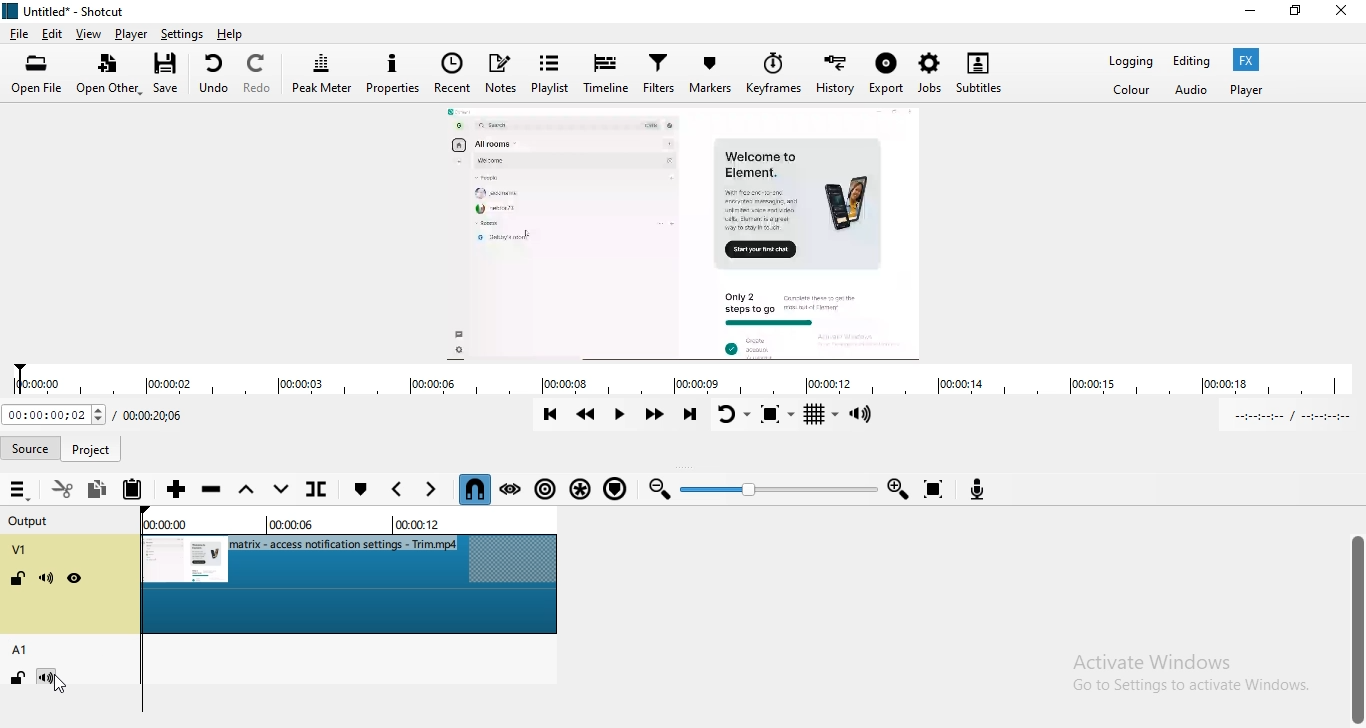 The height and width of the screenshot is (728, 1366). What do you see at coordinates (18, 577) in the screenshot?
I see `Lock` at bounding box center [18, 577].